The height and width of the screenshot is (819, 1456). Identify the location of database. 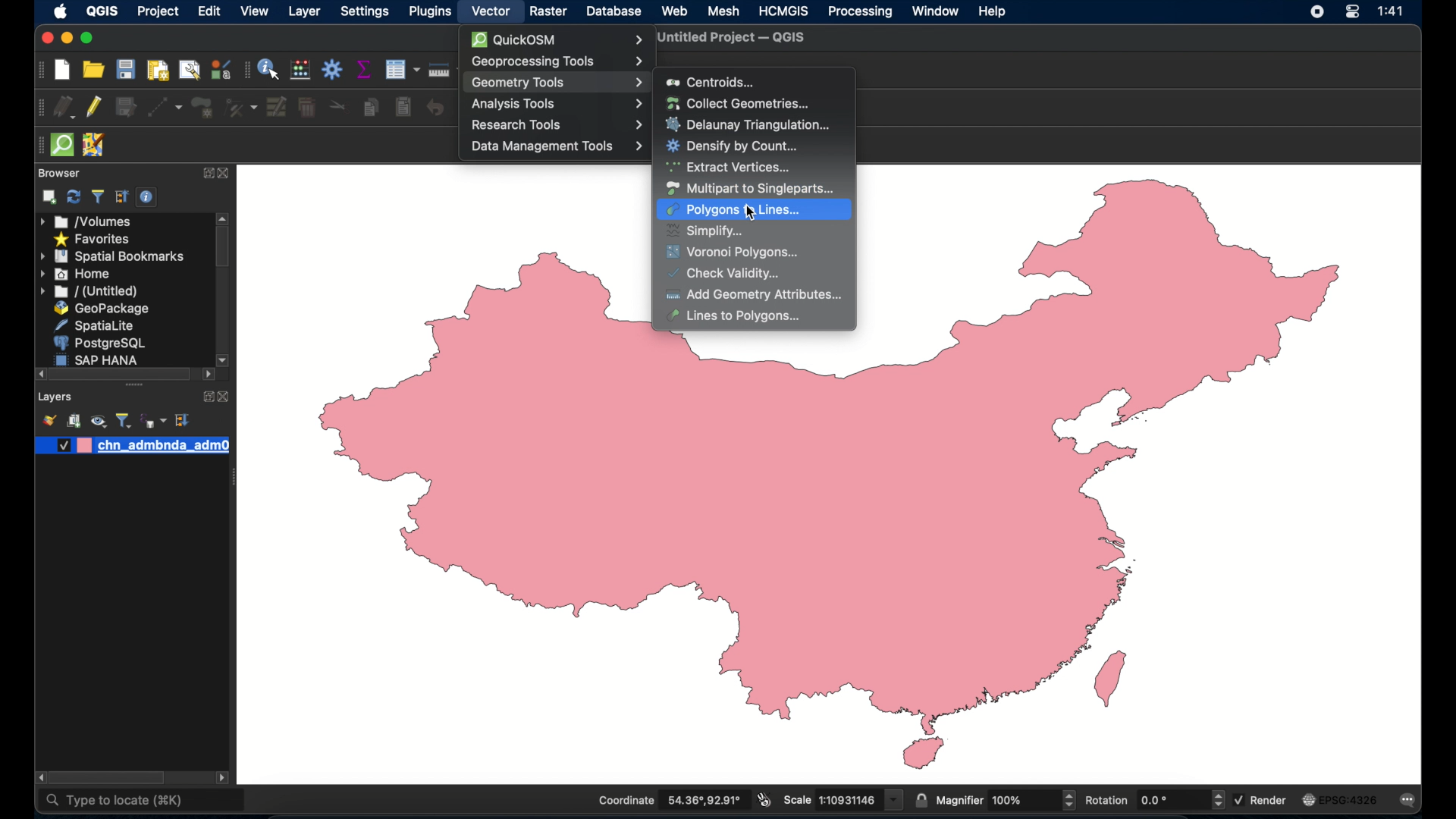
(613, 11).